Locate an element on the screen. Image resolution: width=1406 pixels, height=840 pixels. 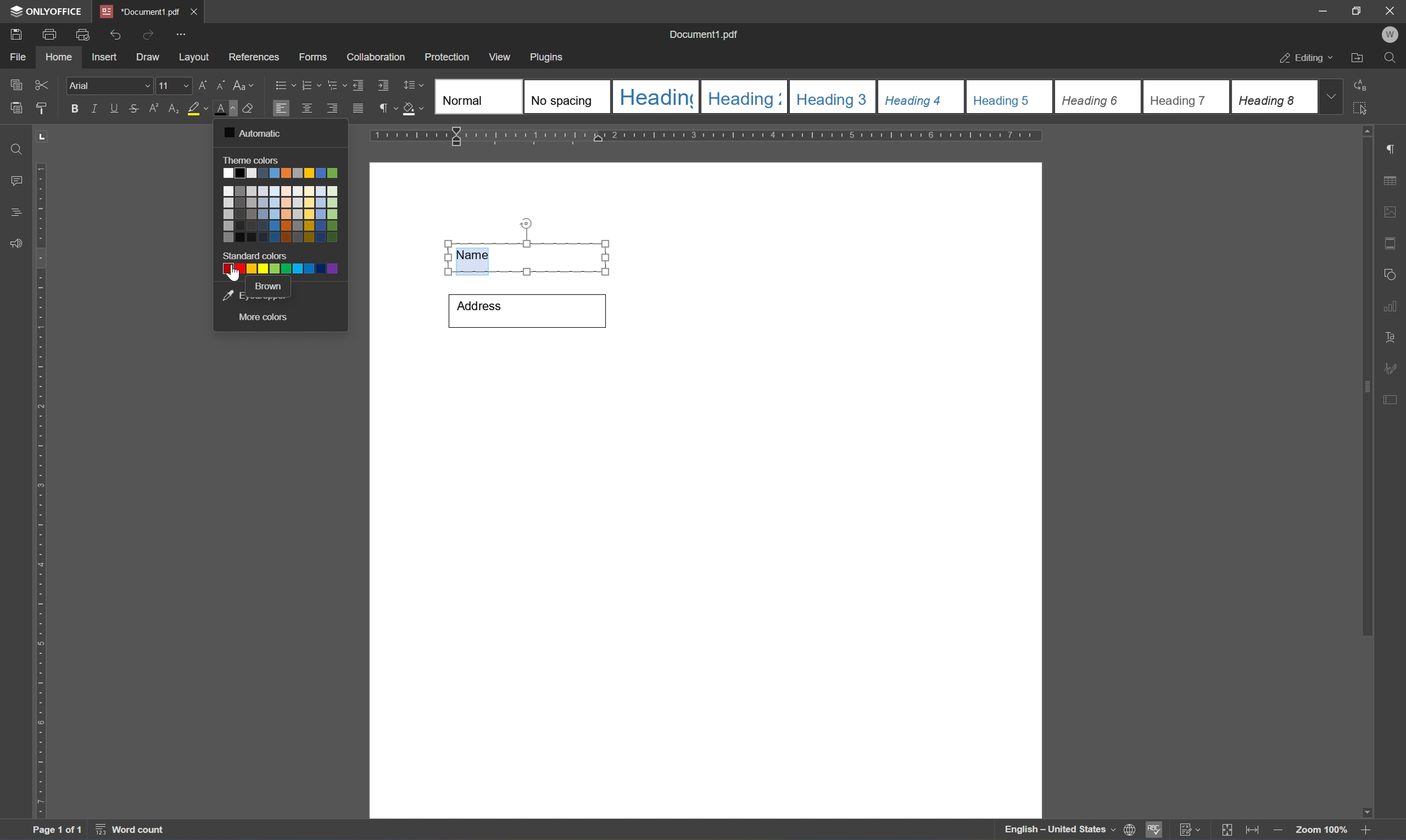
Address is located at coordinates (525, 310).